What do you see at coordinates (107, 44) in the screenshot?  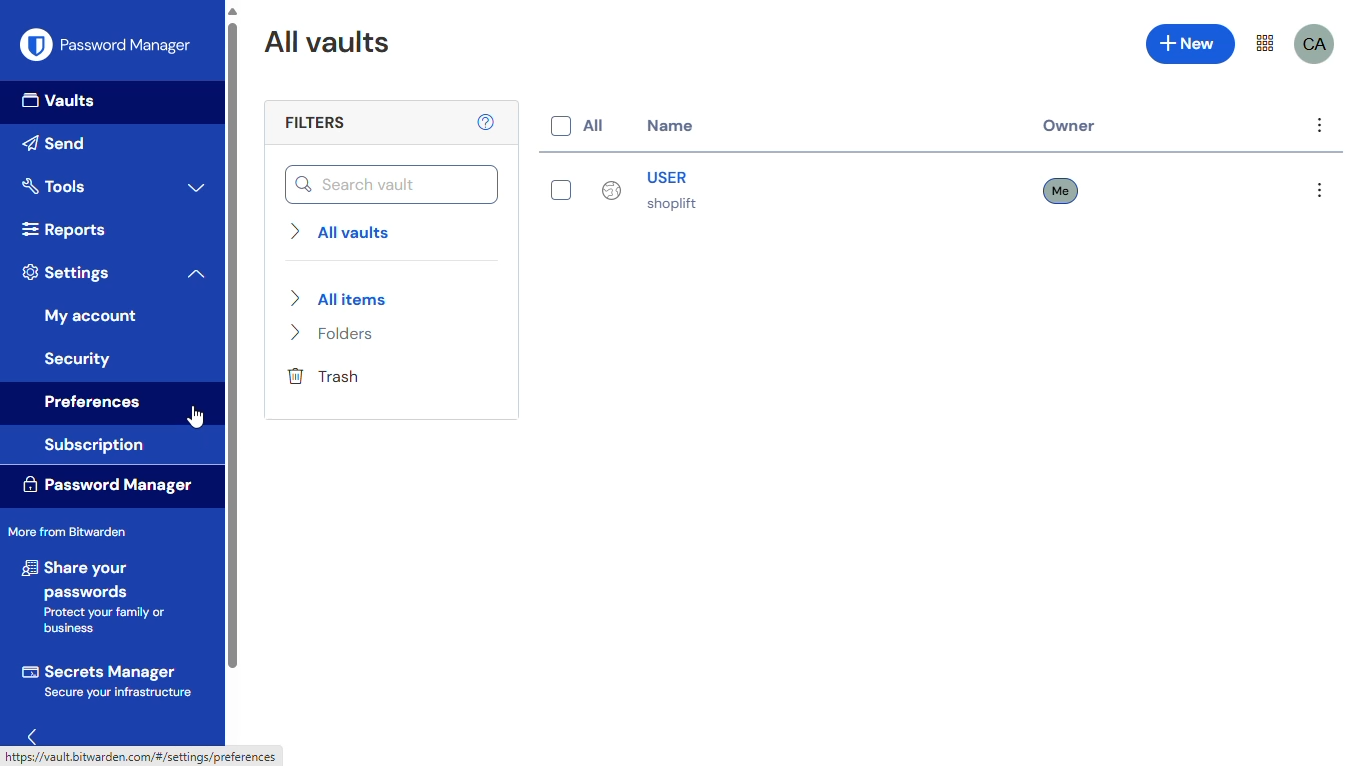 I see `password manager` at bounding box center [107, 44].